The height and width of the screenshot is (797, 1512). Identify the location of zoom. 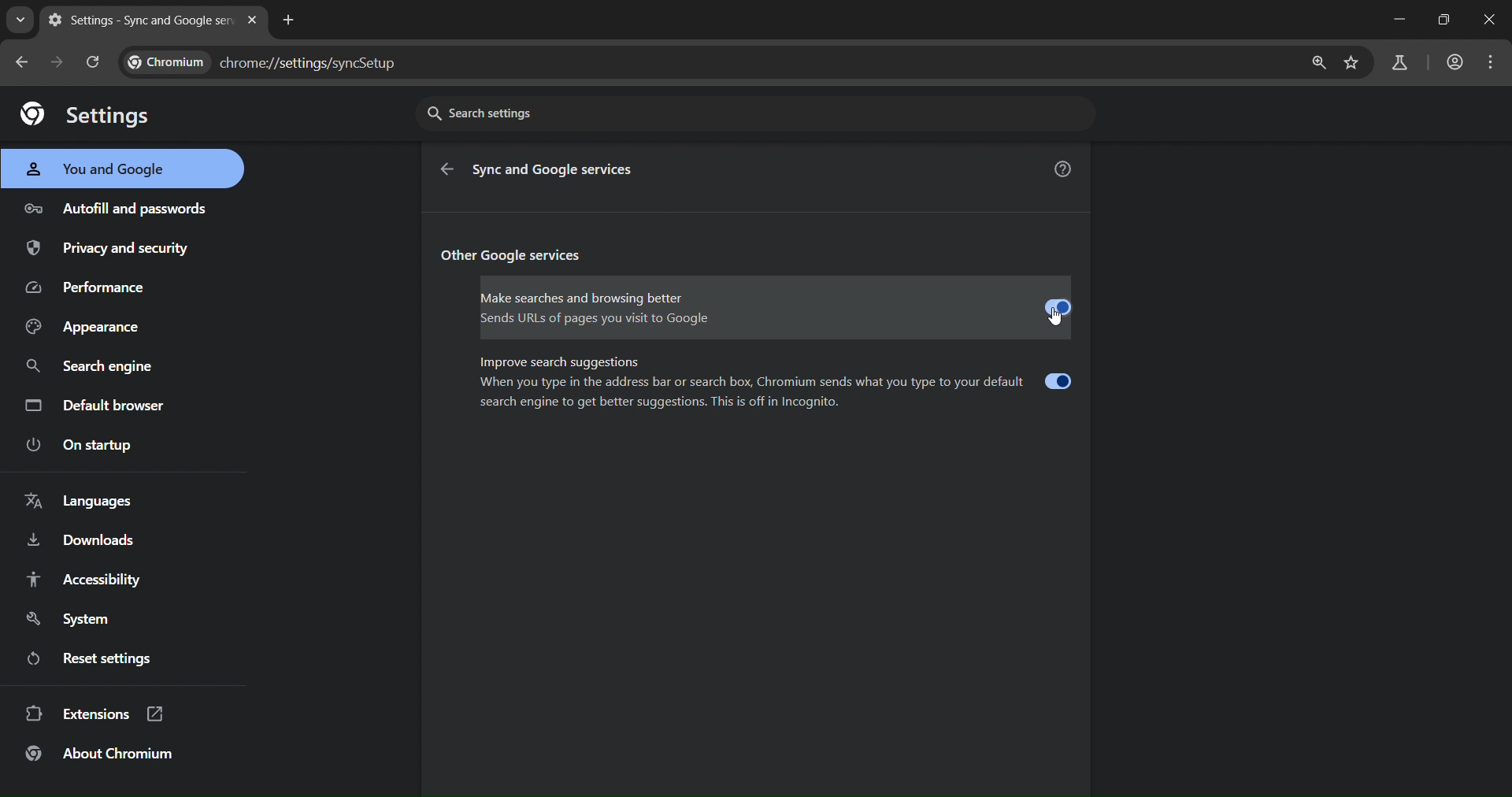
(1321, 62).